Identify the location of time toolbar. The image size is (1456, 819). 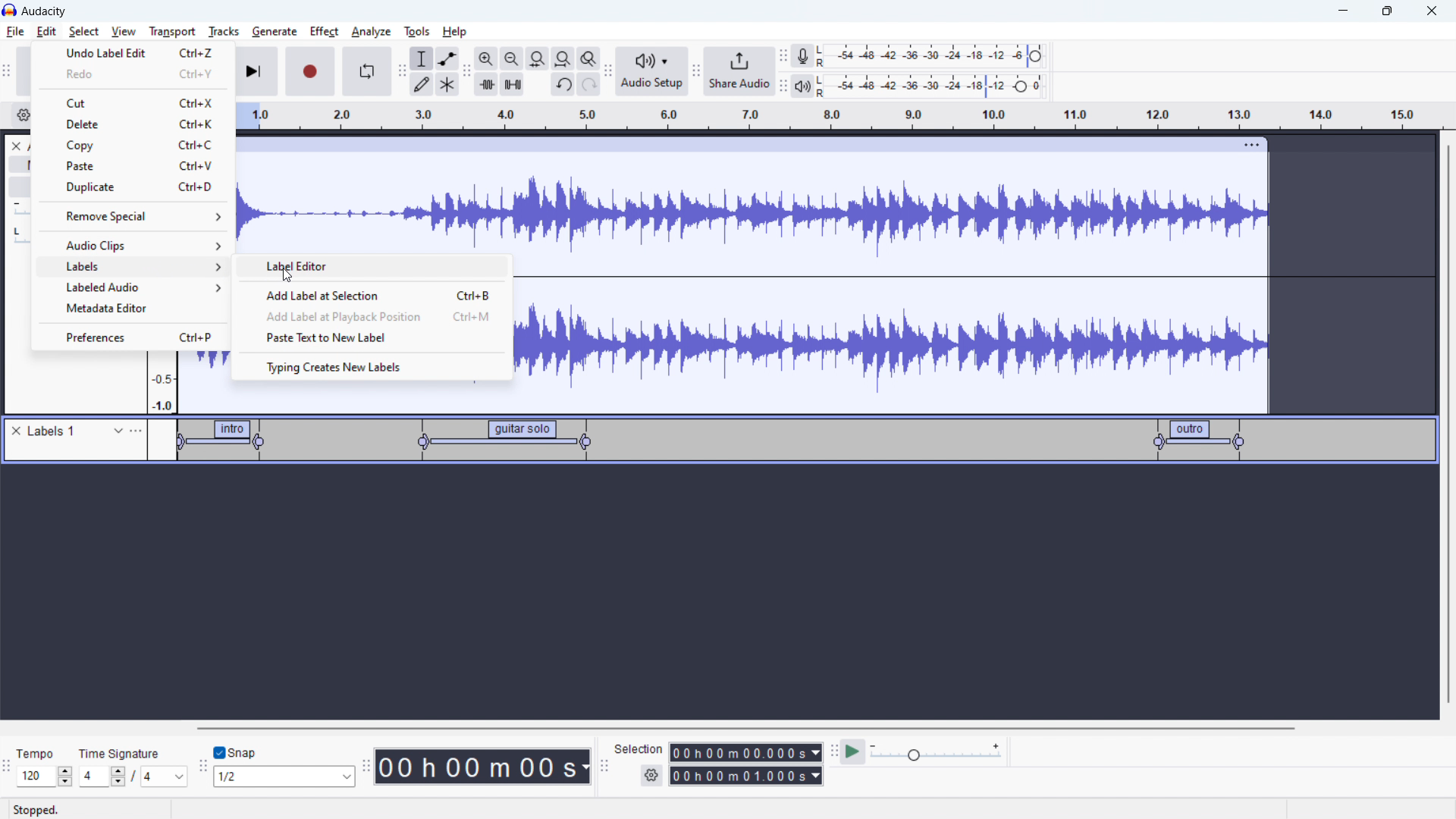
(366, 768).